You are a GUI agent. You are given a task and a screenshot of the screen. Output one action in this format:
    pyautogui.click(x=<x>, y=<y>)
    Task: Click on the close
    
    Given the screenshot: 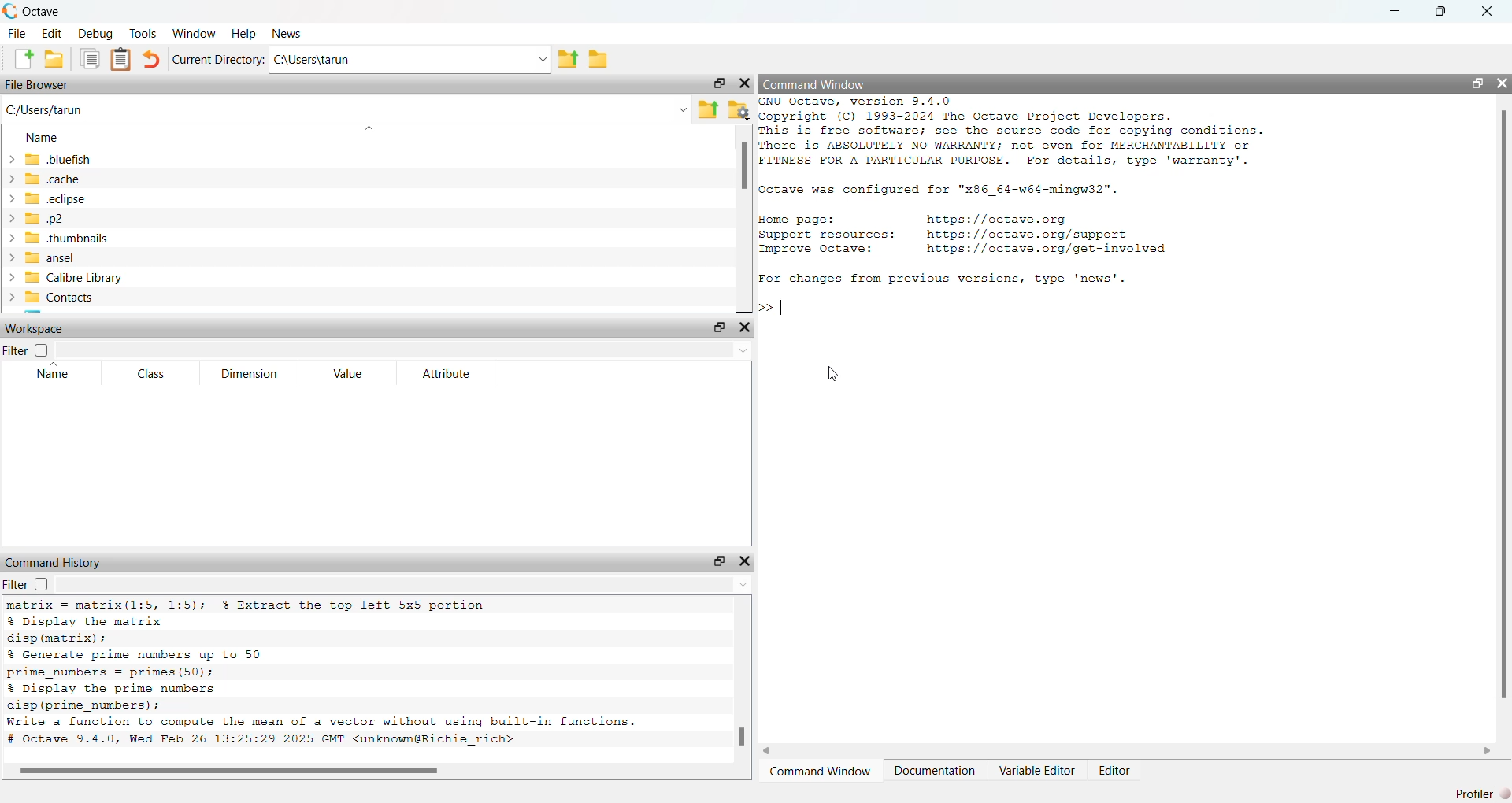 What is the action you would take?
    pyautogui.click(x=745, y=561)
    